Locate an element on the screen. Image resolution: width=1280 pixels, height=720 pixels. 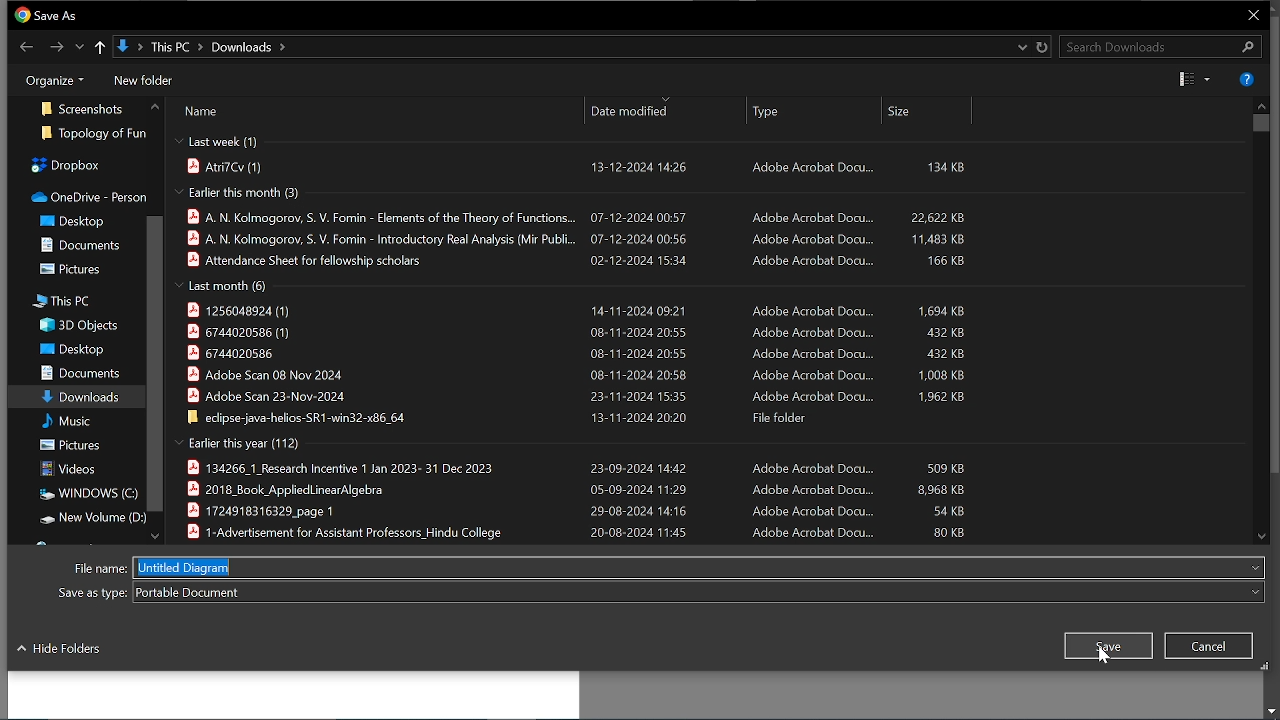
desktop is located at coordinates (70, 223).